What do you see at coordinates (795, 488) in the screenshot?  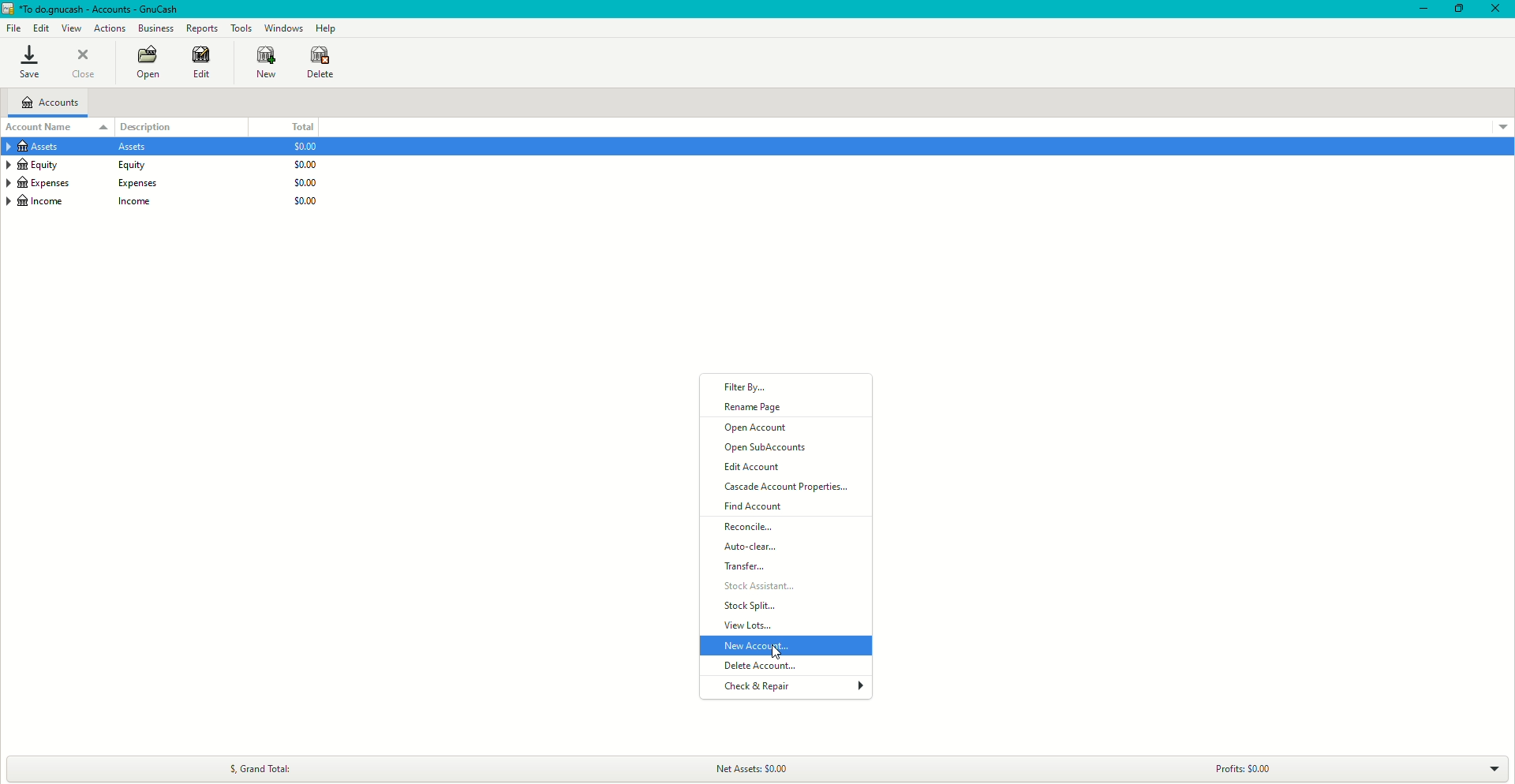 I see `Cascade Account Properties` at bounding box center [795, 488].